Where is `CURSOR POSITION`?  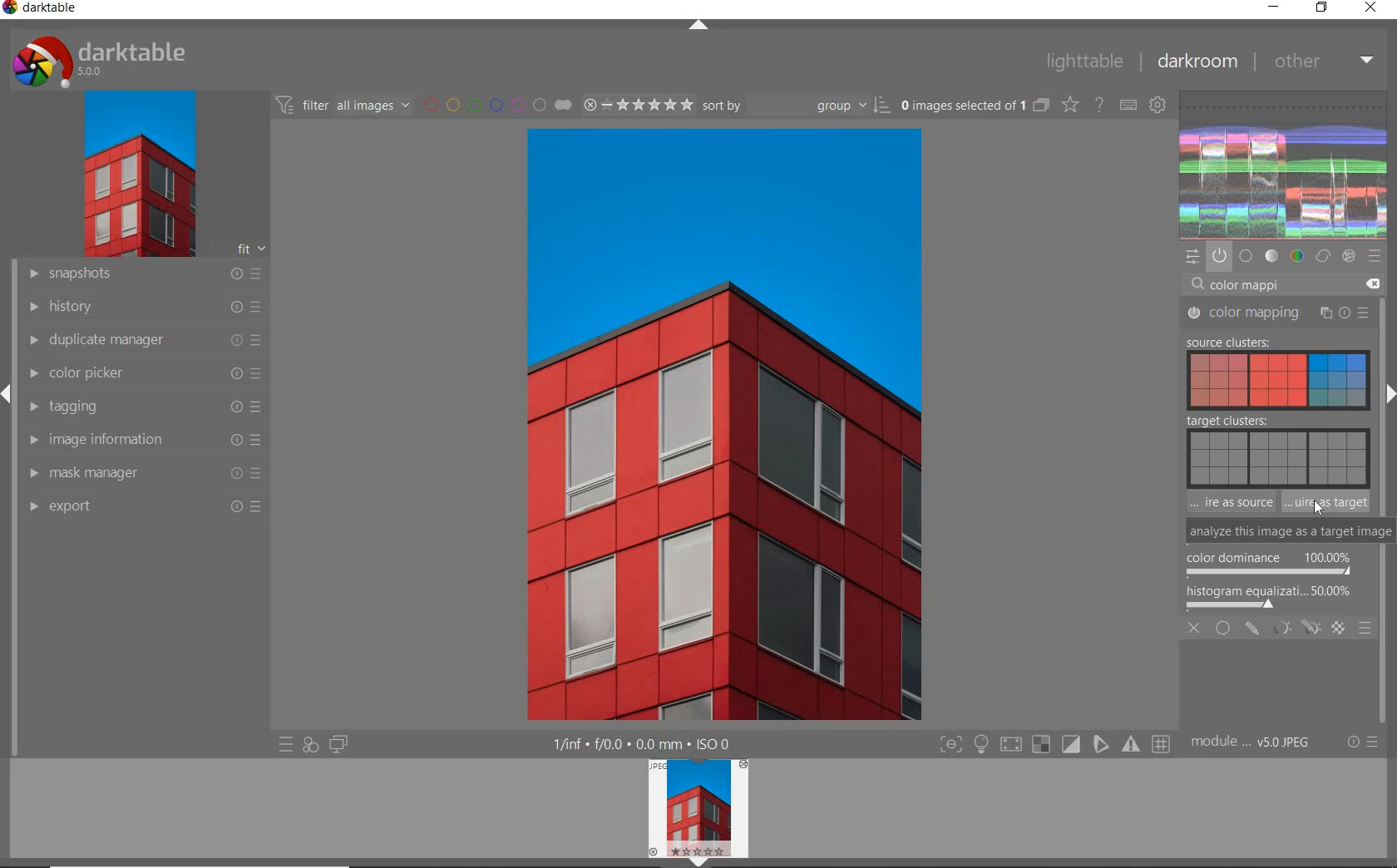
CURSOR POSITION is located at coordinates (1318, 508).